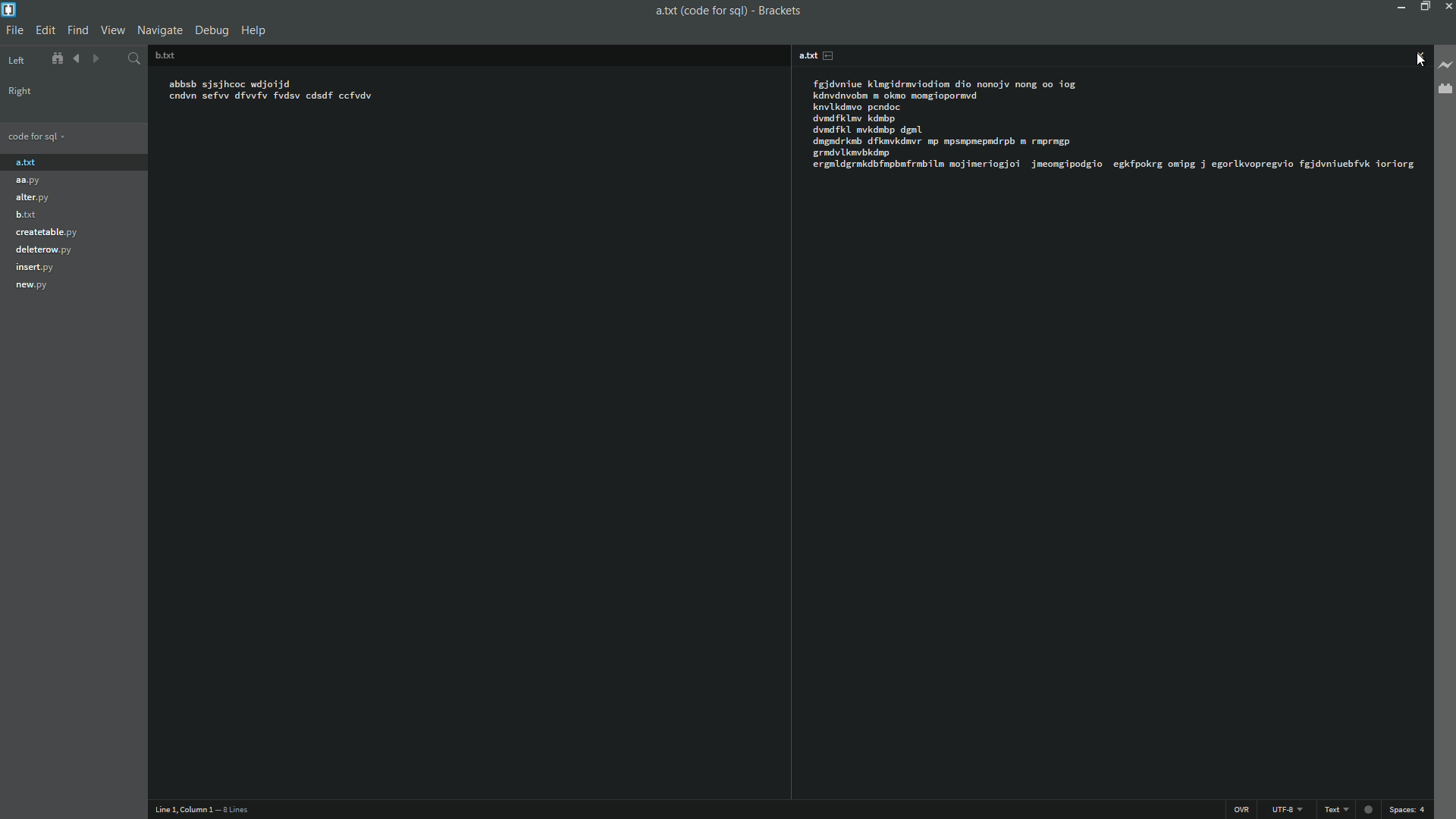 The width and height of the screenshot is (1456, 819). What do you see at coordinates (53, 231) in the screenshot?
I see `createtable.py` at bounding box center [53, 231].